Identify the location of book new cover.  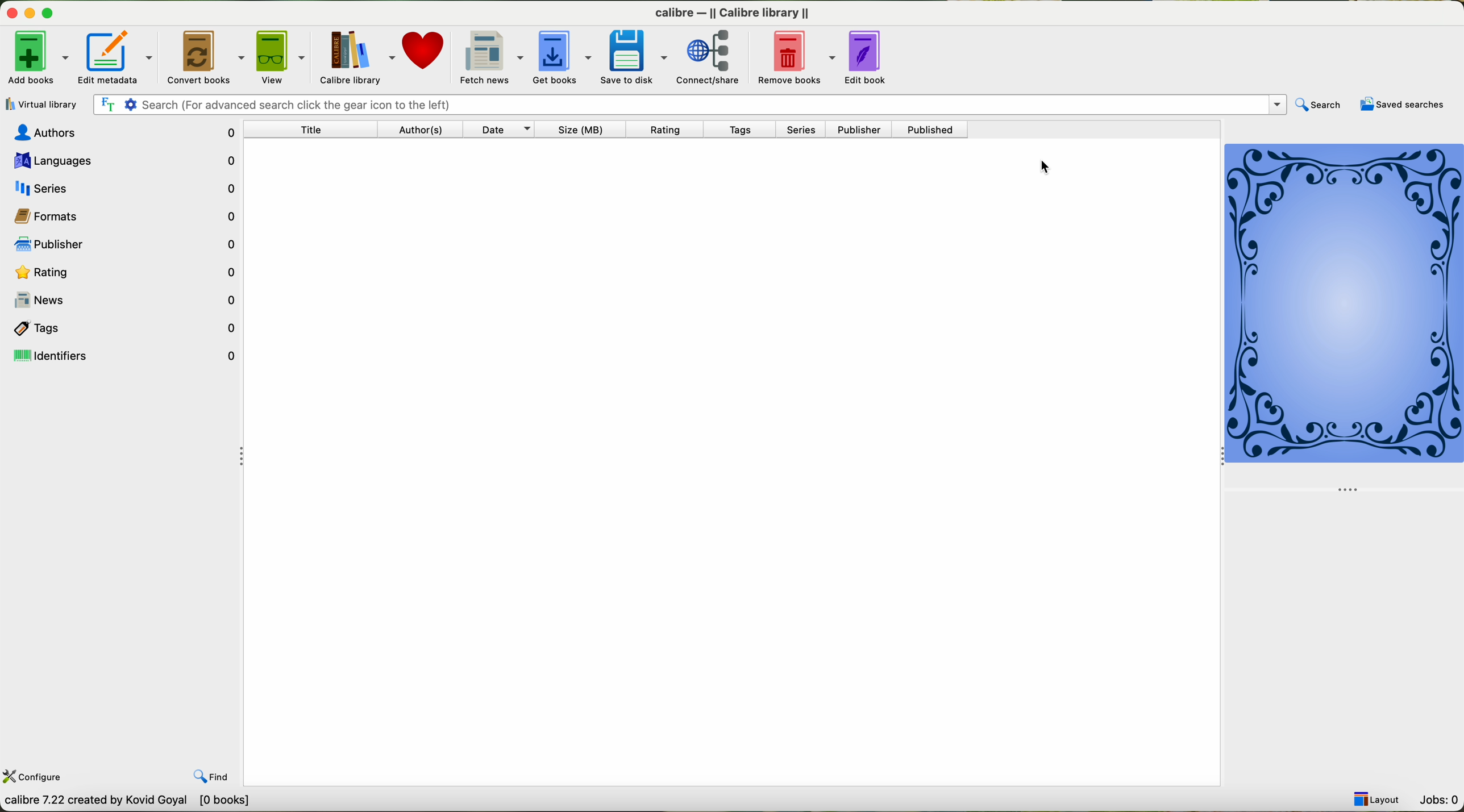
(1333, 308).